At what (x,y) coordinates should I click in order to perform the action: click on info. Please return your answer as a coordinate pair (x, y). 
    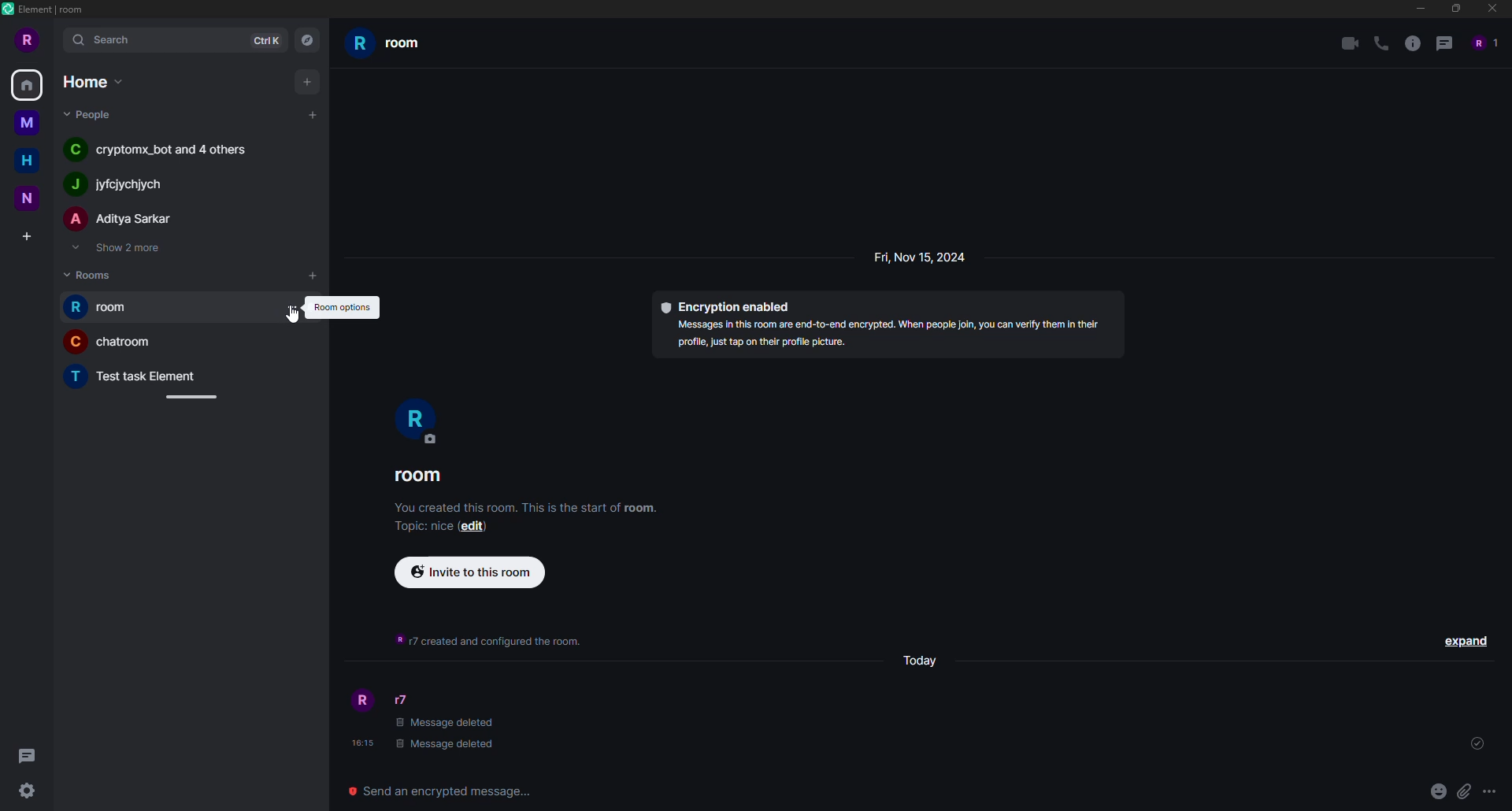
    Looking at the image, I should click on (1412, 44).